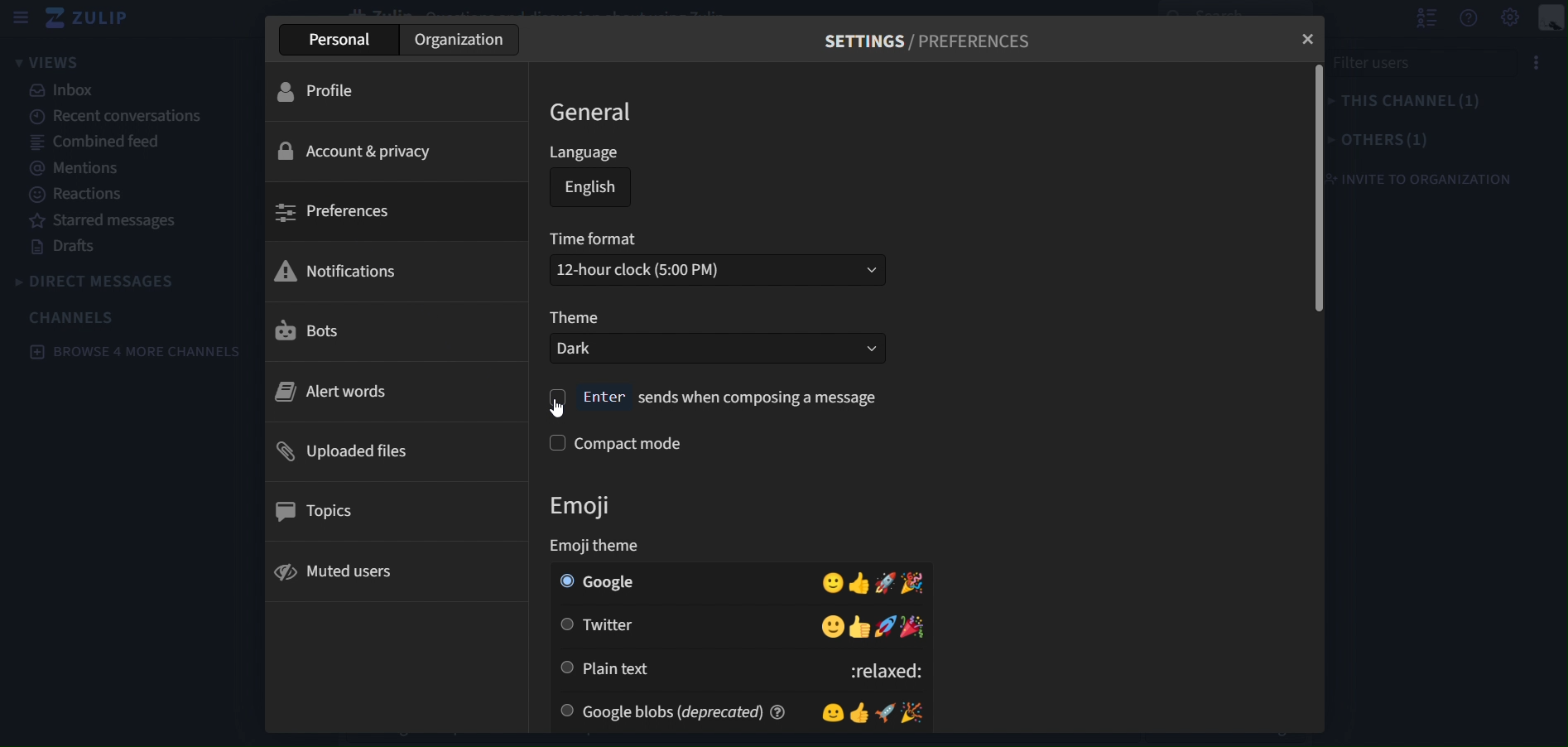 The image size is (1568, 747). What do you see at coordinates (50, 62) in the screenshot?
I see `view` at bounding box center [50, 62].